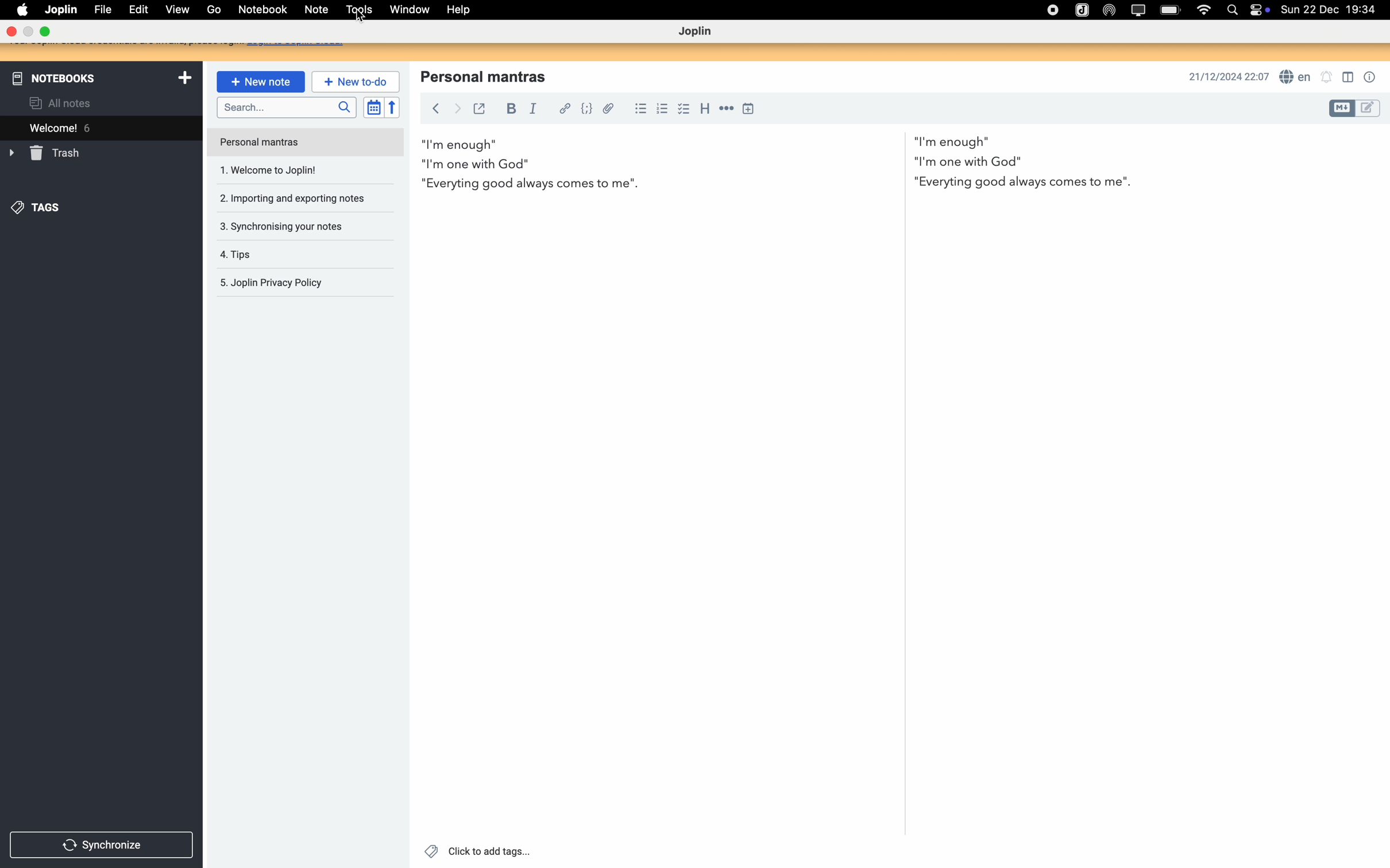 This screenshot has height=868, width=1390. I want to click on numbered list, so click(661, 108).